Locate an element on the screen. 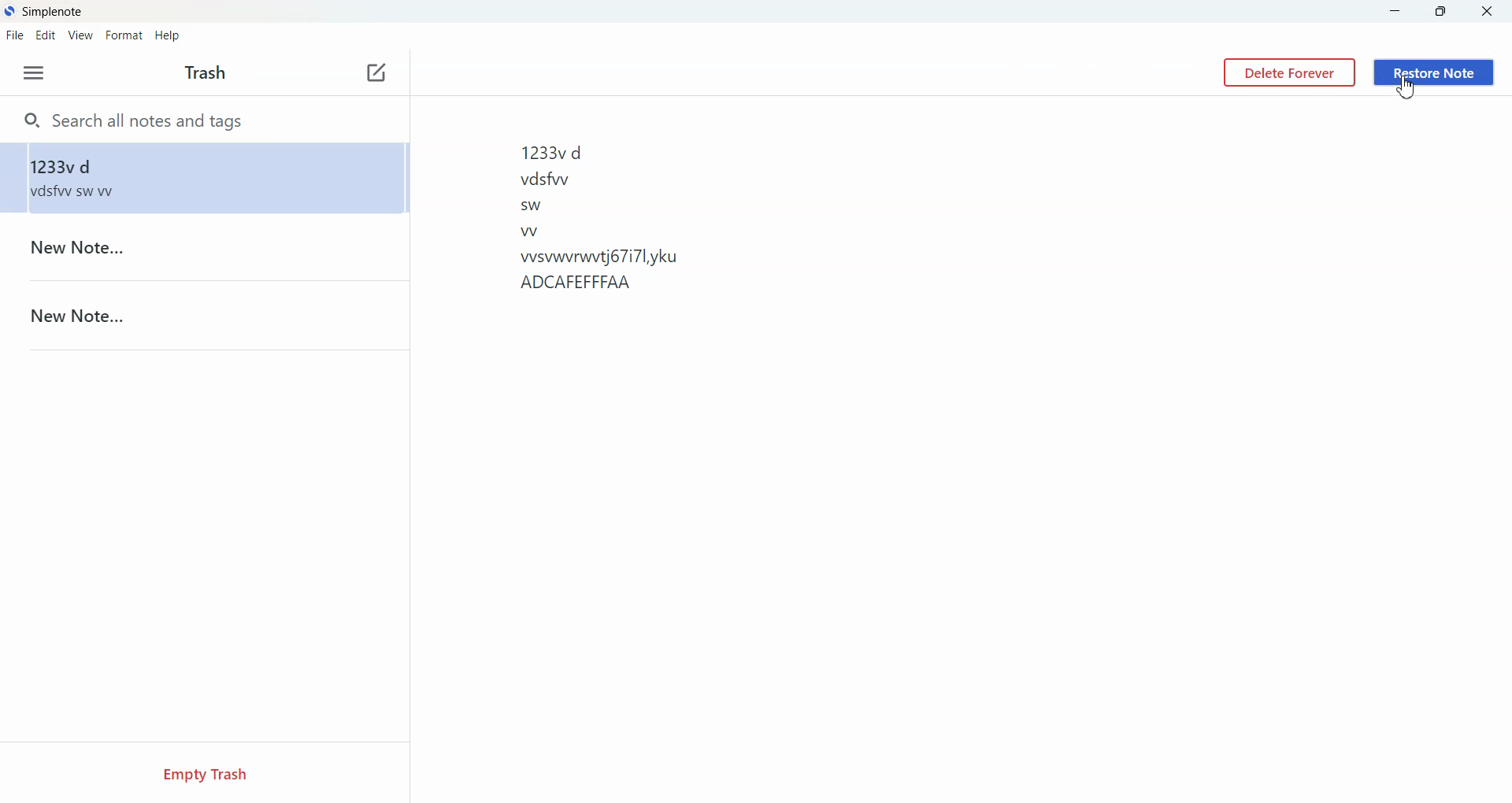 The width and height of the screenshot is (1512, 803). Empty Trash is located at coordinates (203, 773).